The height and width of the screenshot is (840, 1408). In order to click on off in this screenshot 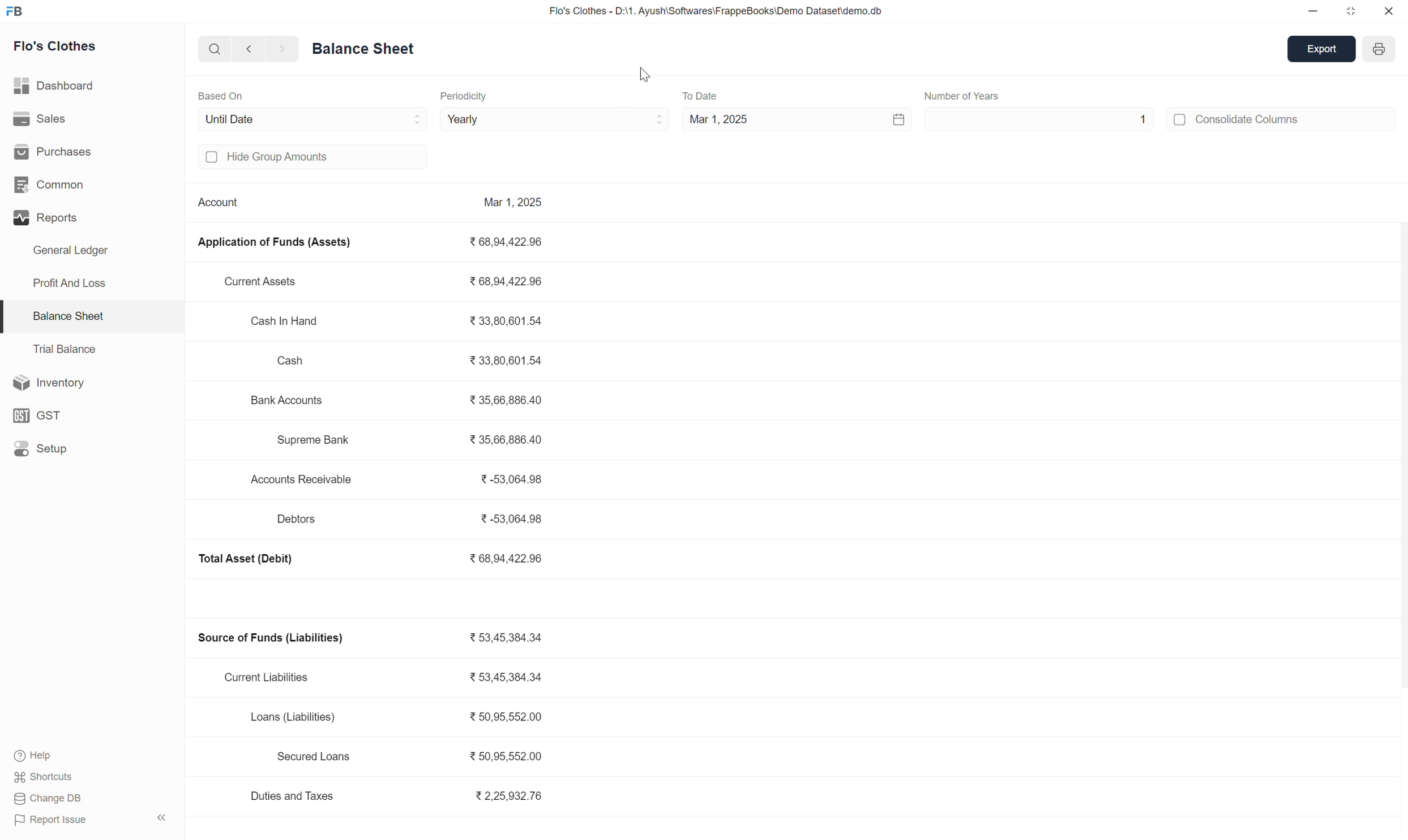, I will do `click(212, 157)`.